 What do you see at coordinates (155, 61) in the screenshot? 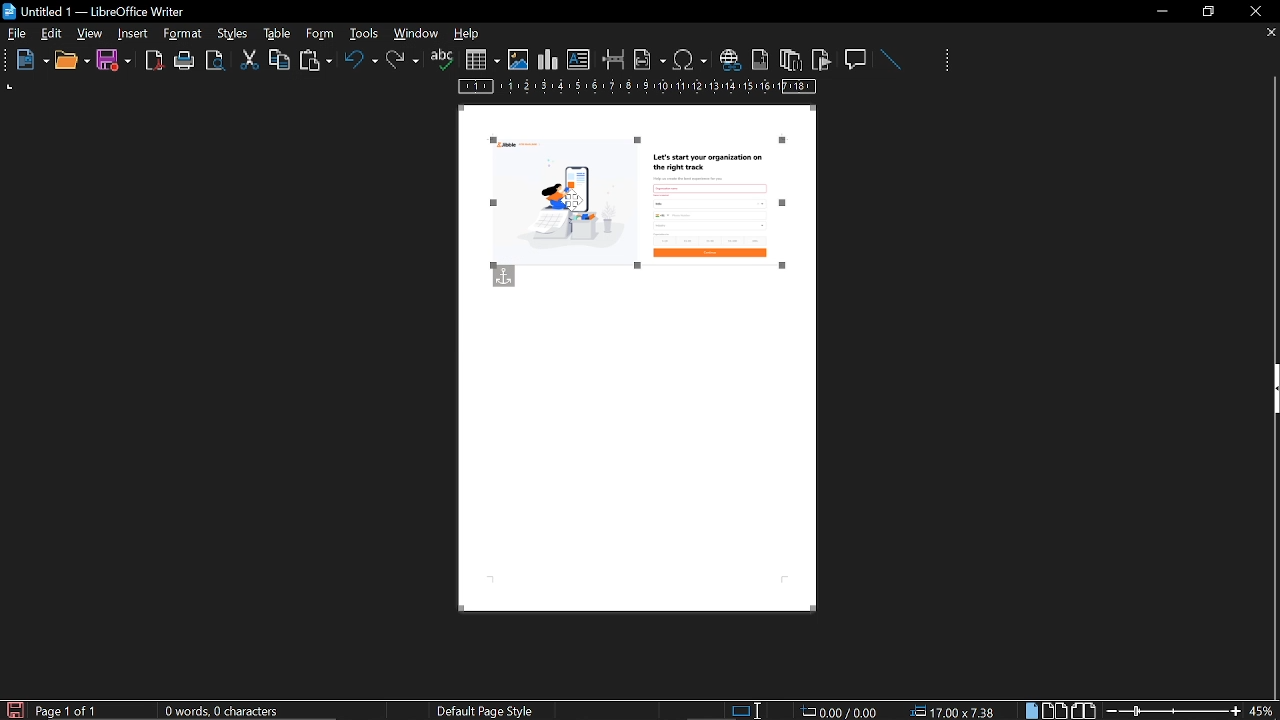
I see `export as pdf` at bounding box center [155, 61].